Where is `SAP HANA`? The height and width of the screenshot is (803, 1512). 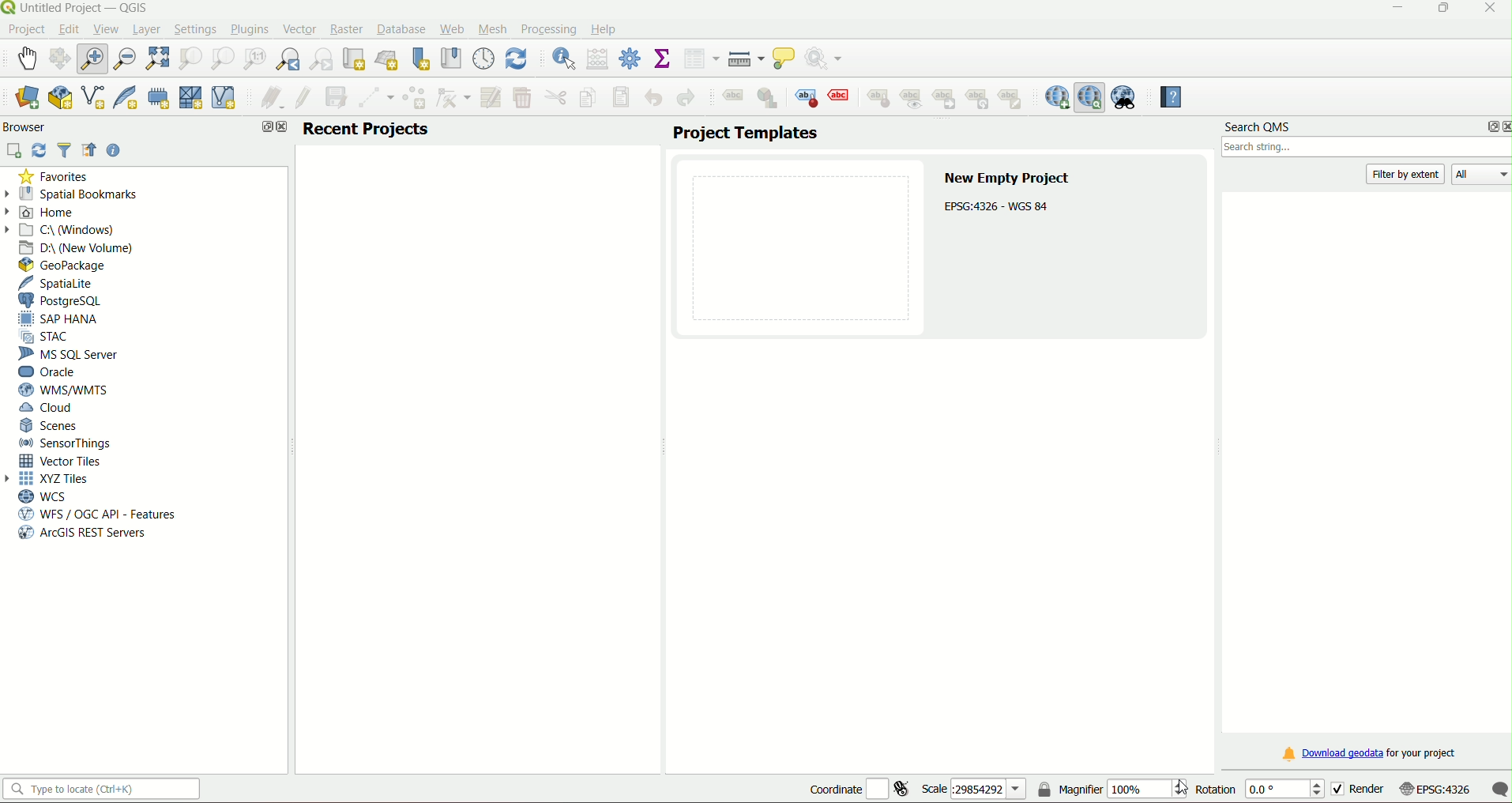 SAP HANA is located at coordinates (63, 319).